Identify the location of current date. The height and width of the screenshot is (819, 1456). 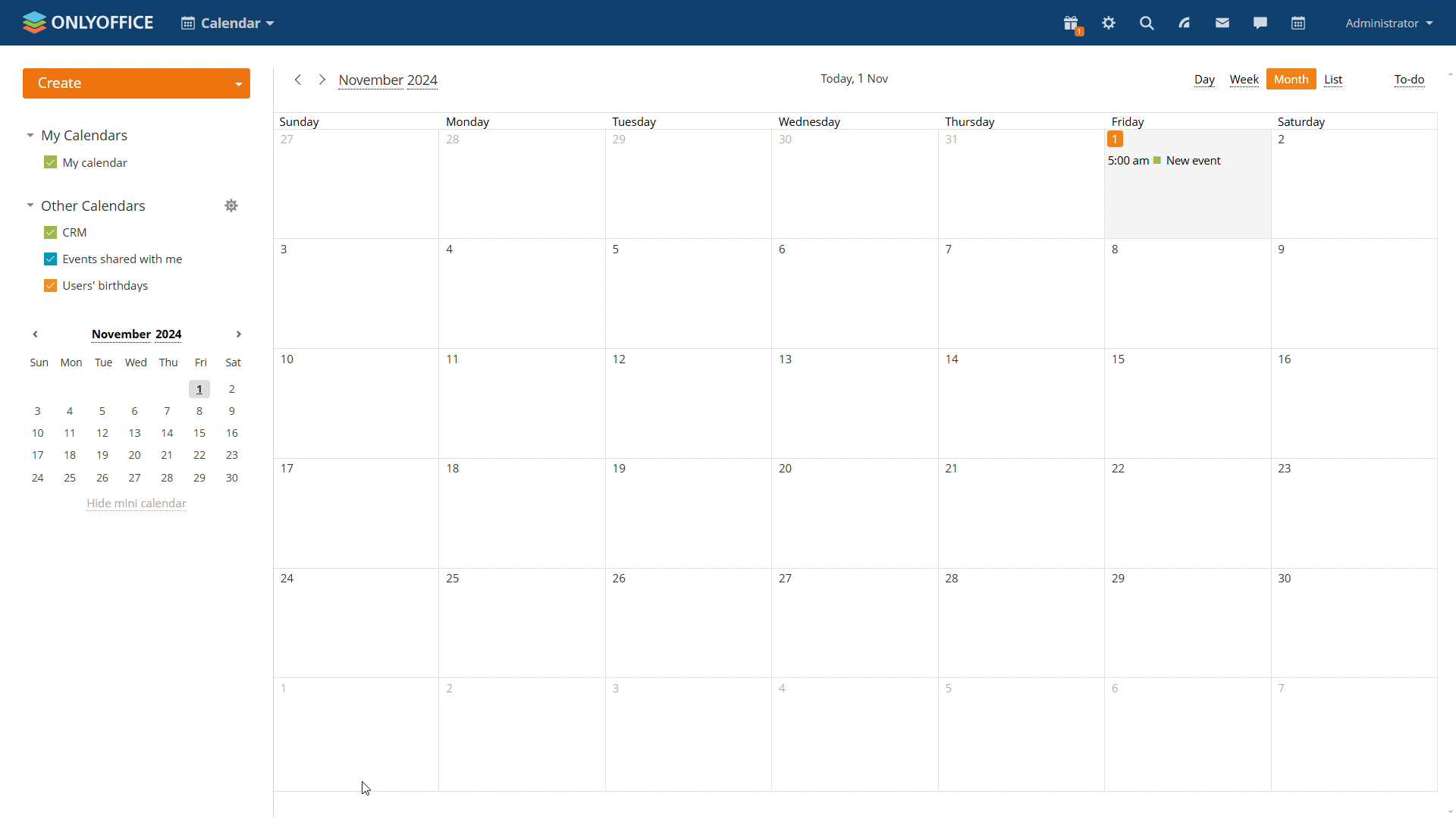
(857, 78).